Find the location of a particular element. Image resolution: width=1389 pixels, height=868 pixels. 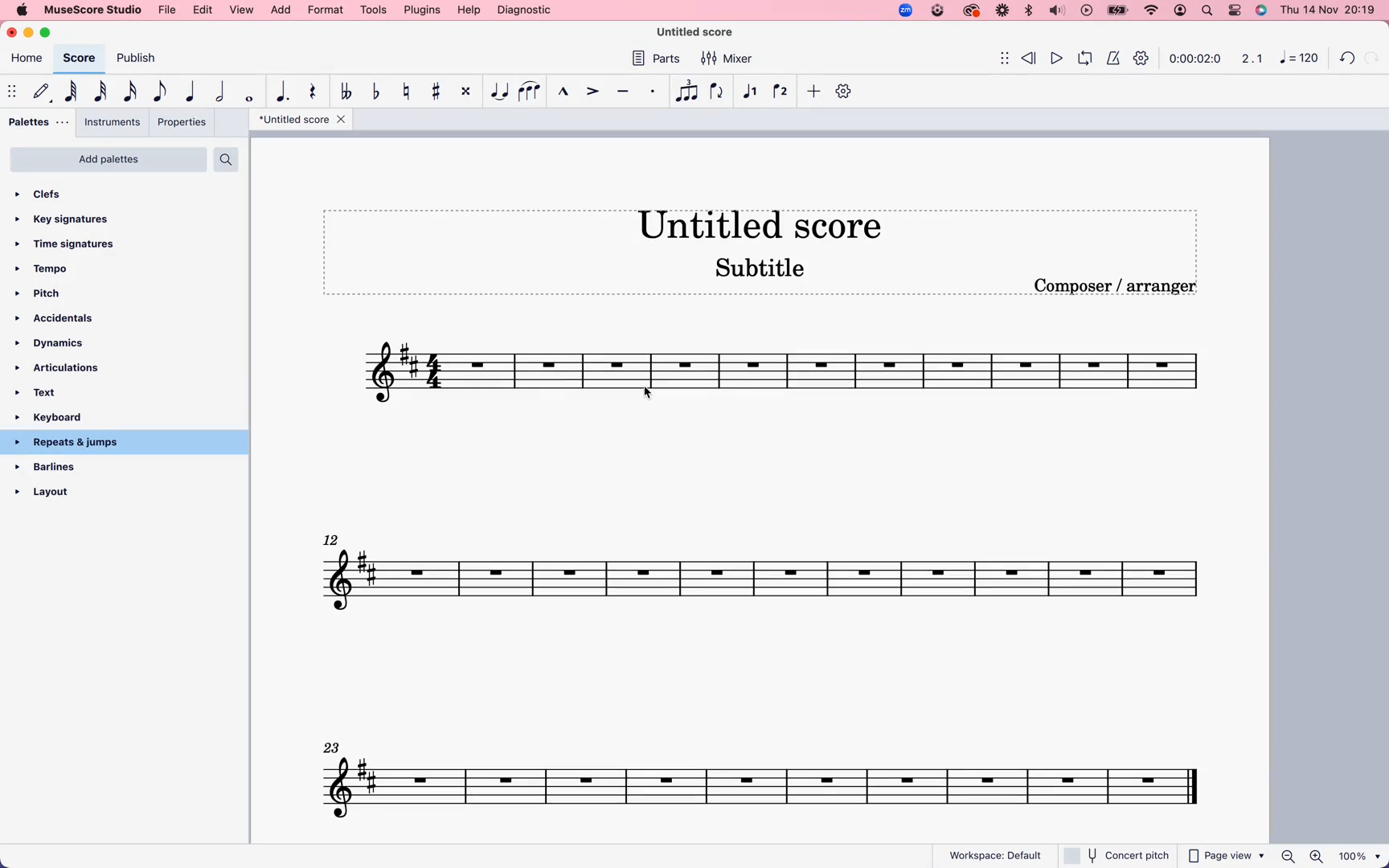

half note is located at coordinates (223, 91).